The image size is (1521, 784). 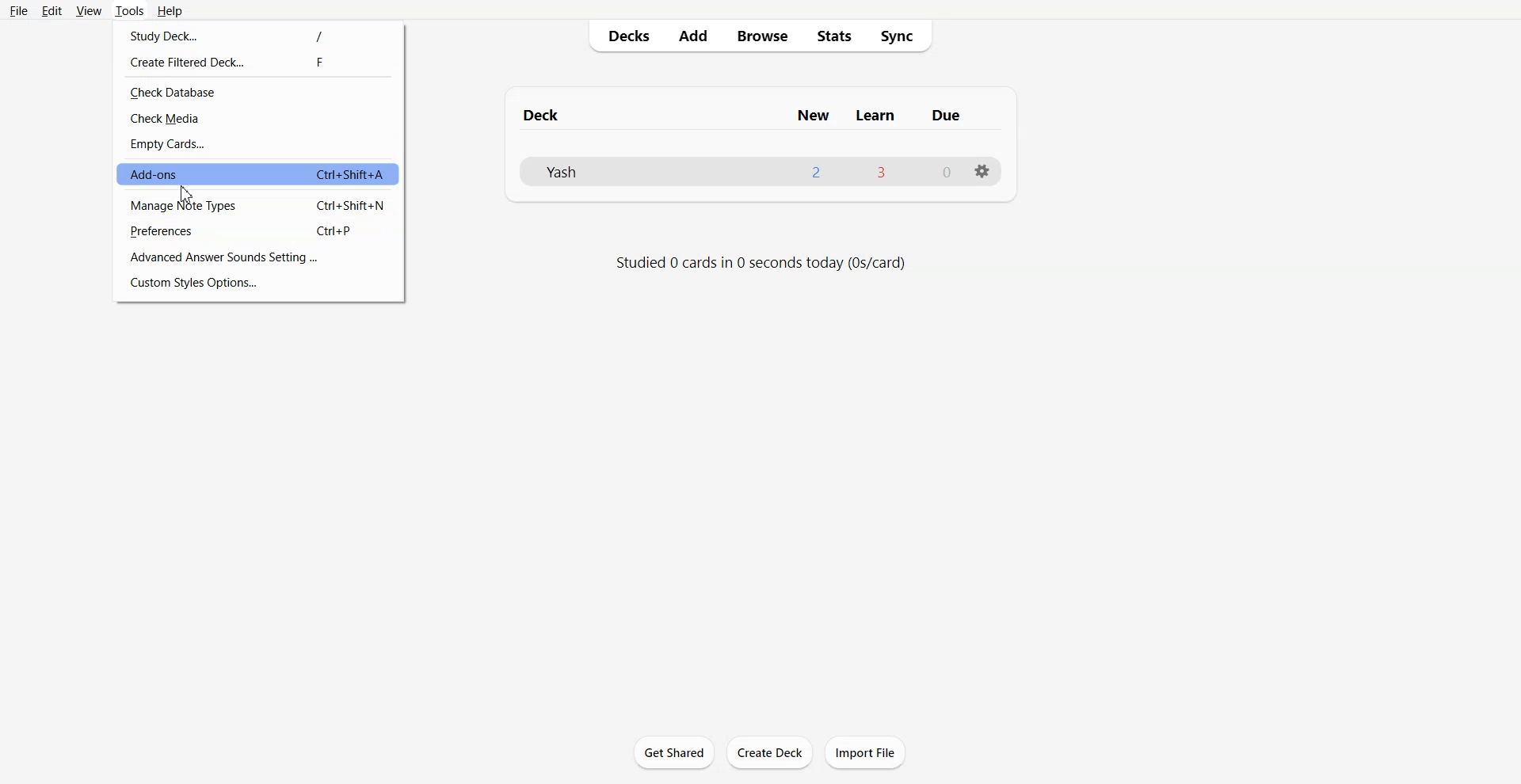 I want to click on Decks, so click(x=623, y=36).